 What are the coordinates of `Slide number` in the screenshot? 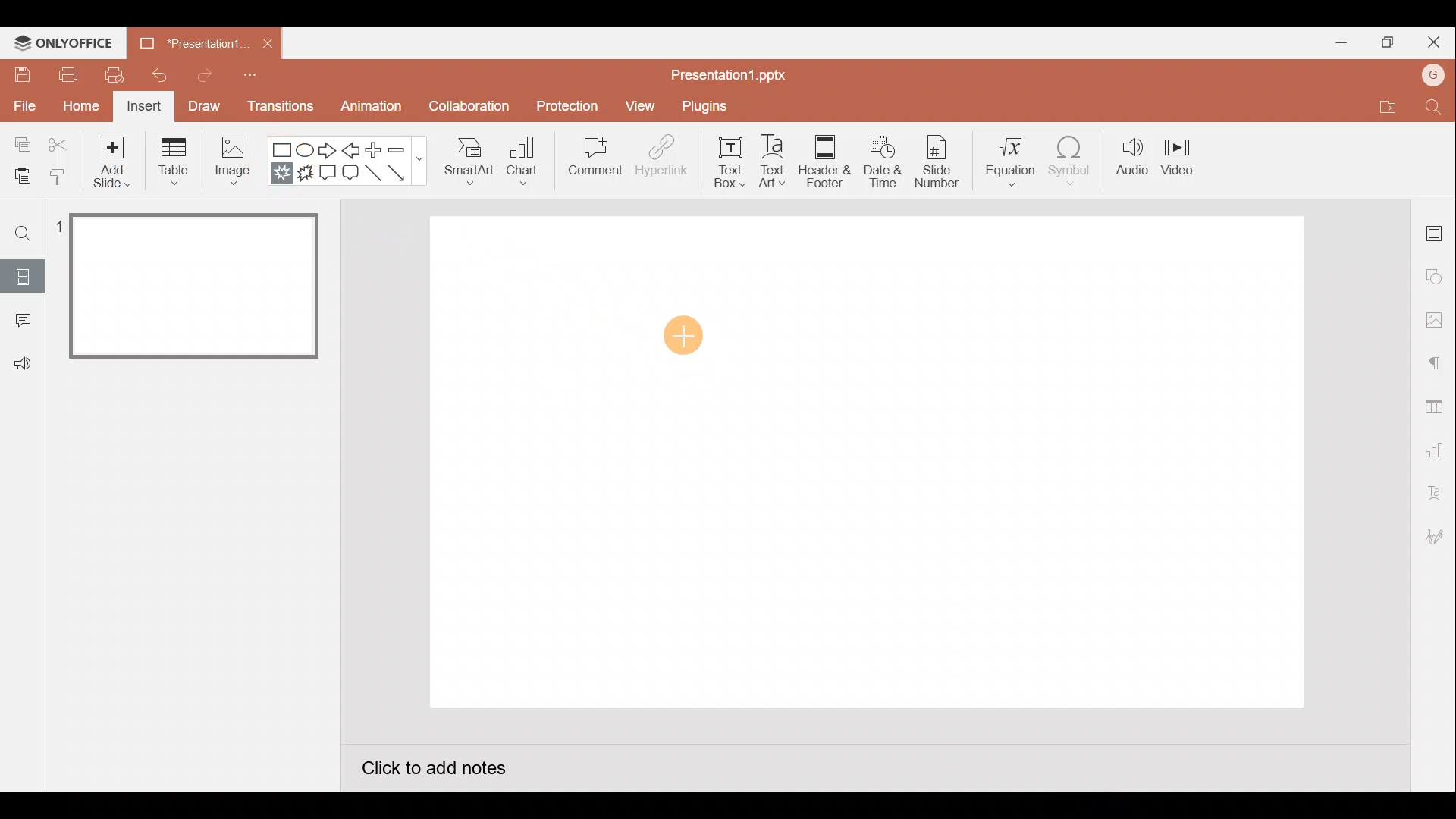 It's located at (937, 162).